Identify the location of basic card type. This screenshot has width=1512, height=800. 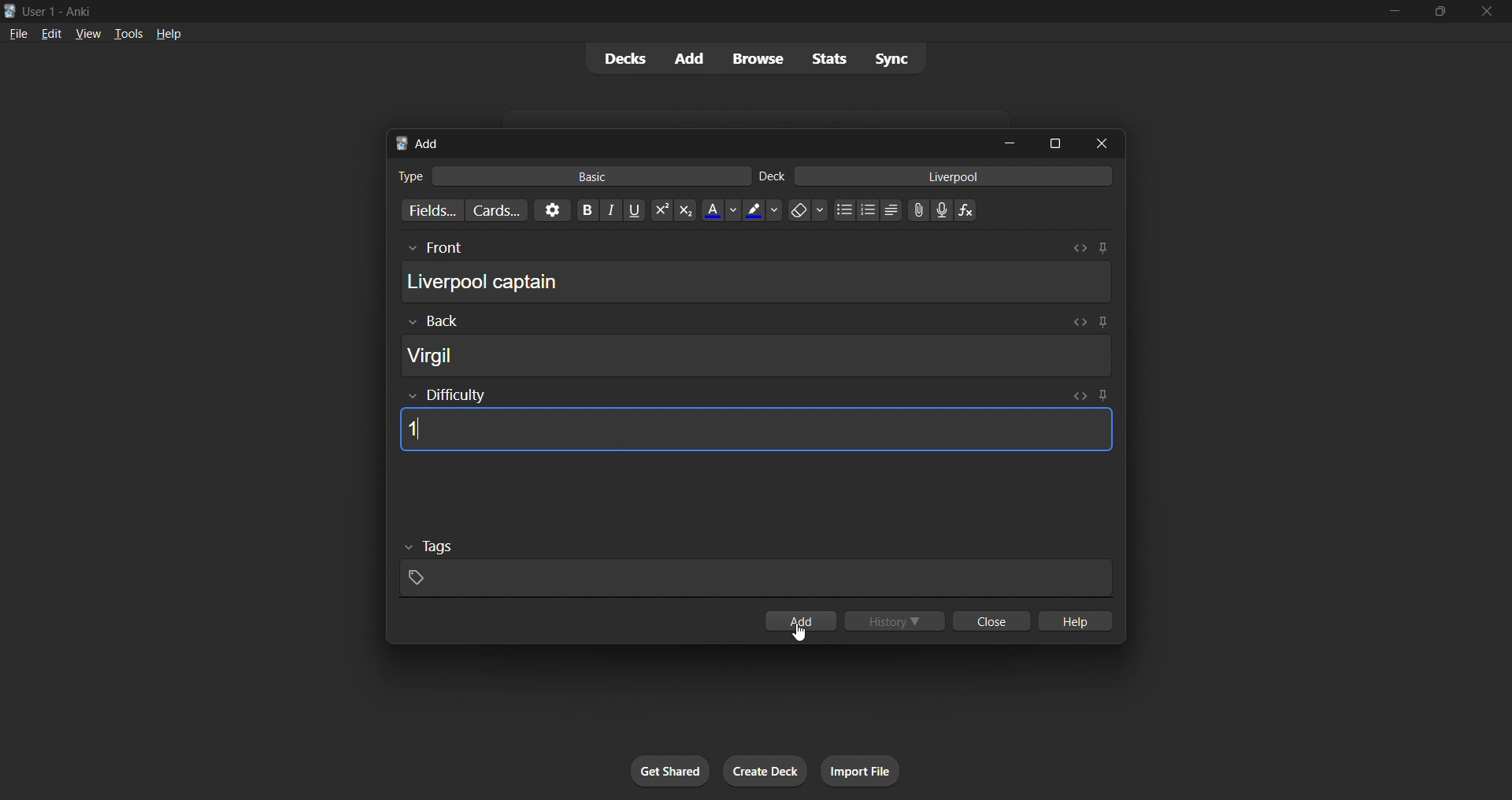
(589, 176).